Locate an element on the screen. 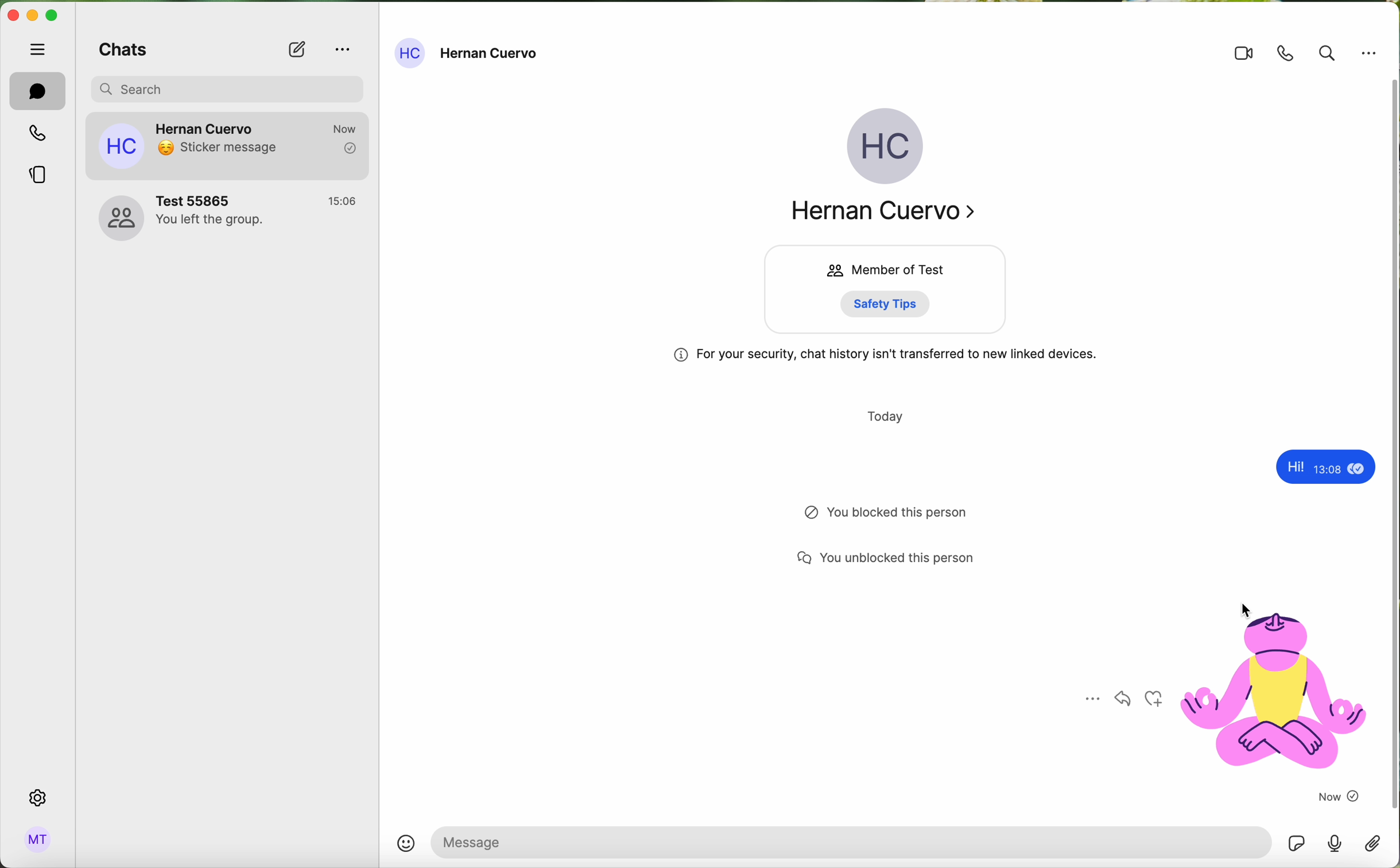 The width and height of the screenshot is (1400, 868). videocall is located at coordinates (1243, 55).